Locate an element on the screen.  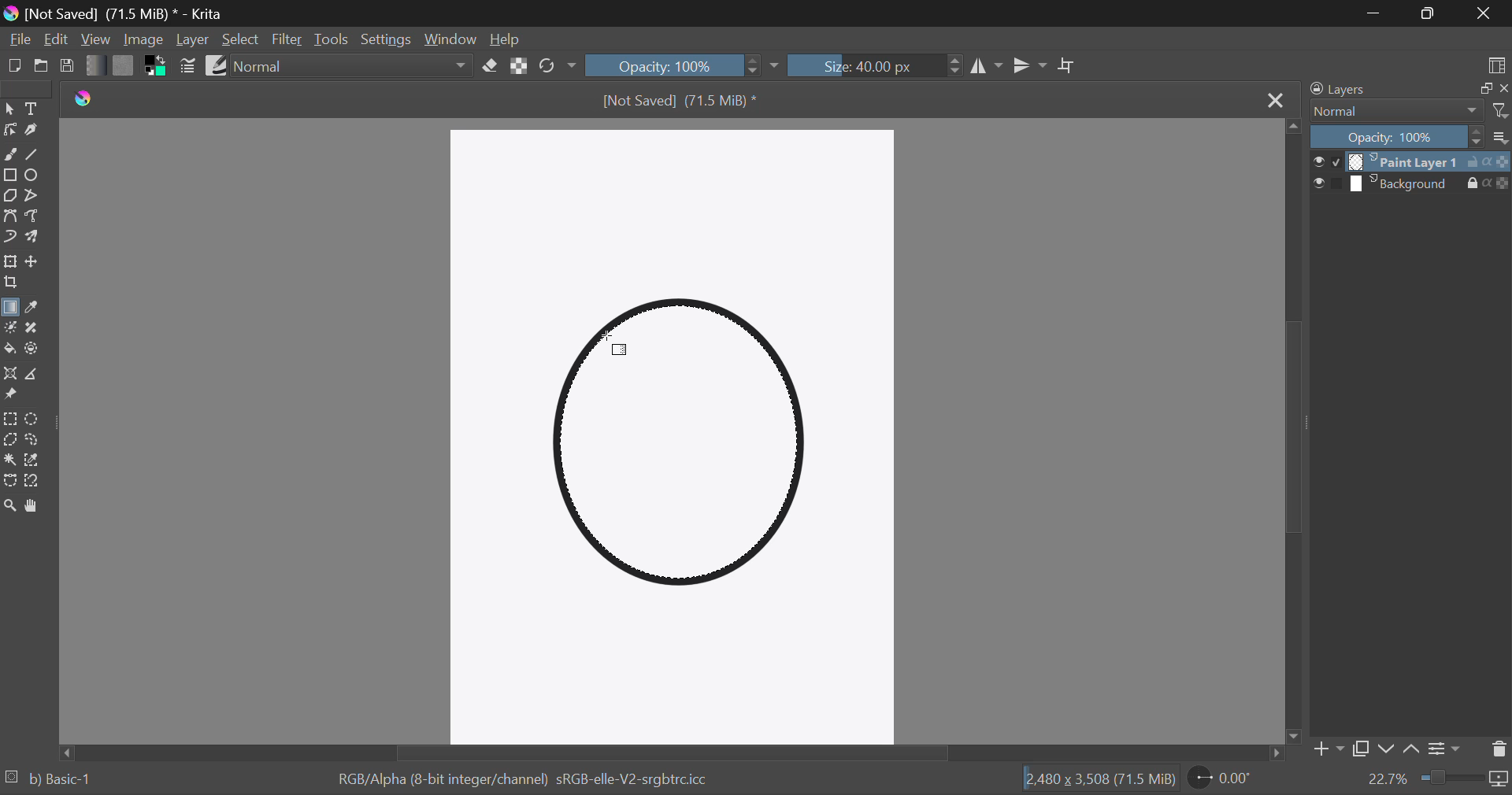
close is located at coordinates (1504, 87).